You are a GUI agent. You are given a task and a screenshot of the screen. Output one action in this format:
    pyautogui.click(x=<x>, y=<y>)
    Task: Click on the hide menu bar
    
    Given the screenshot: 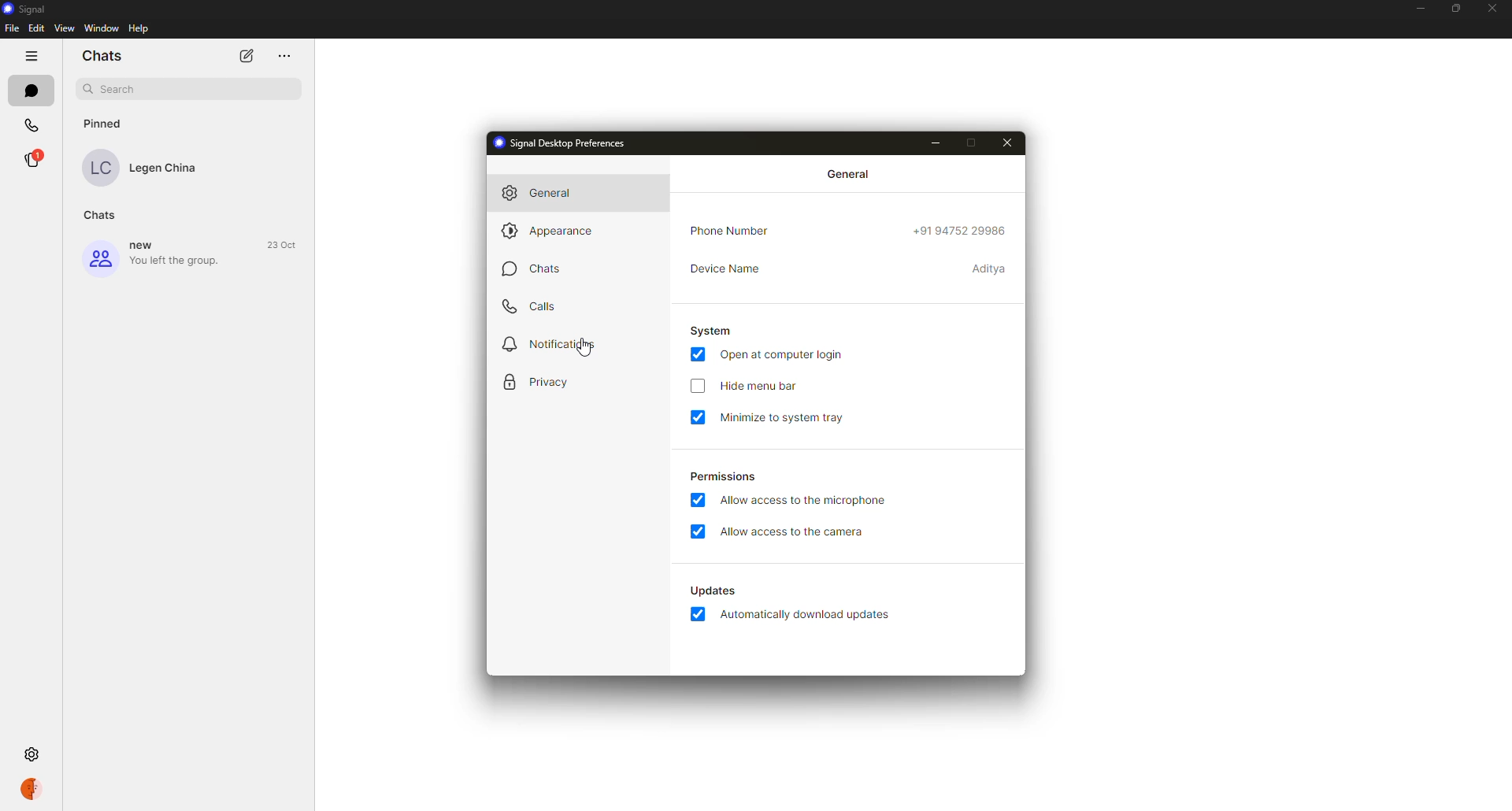 What is the action you would take?
    pyautogui.click(x=762, y=386)
    